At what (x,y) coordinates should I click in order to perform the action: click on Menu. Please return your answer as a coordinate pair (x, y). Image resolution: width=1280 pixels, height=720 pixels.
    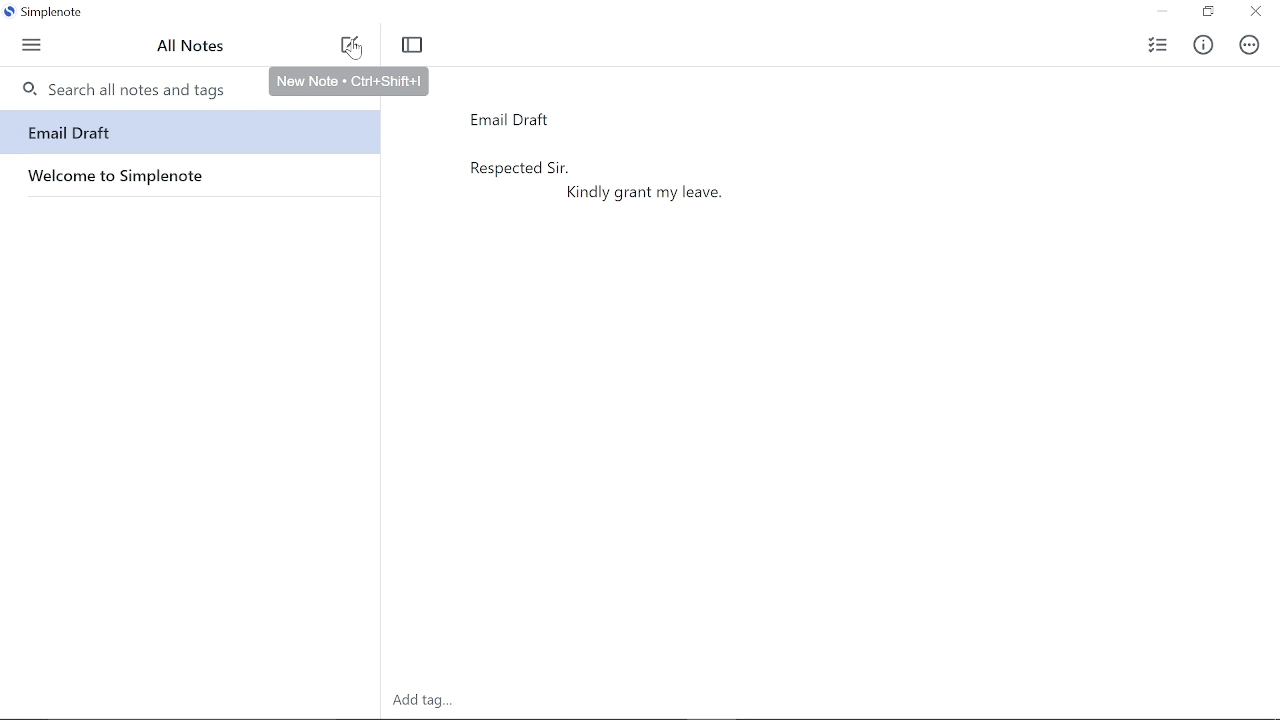
    Looking at the image, I should click on (34, 46).